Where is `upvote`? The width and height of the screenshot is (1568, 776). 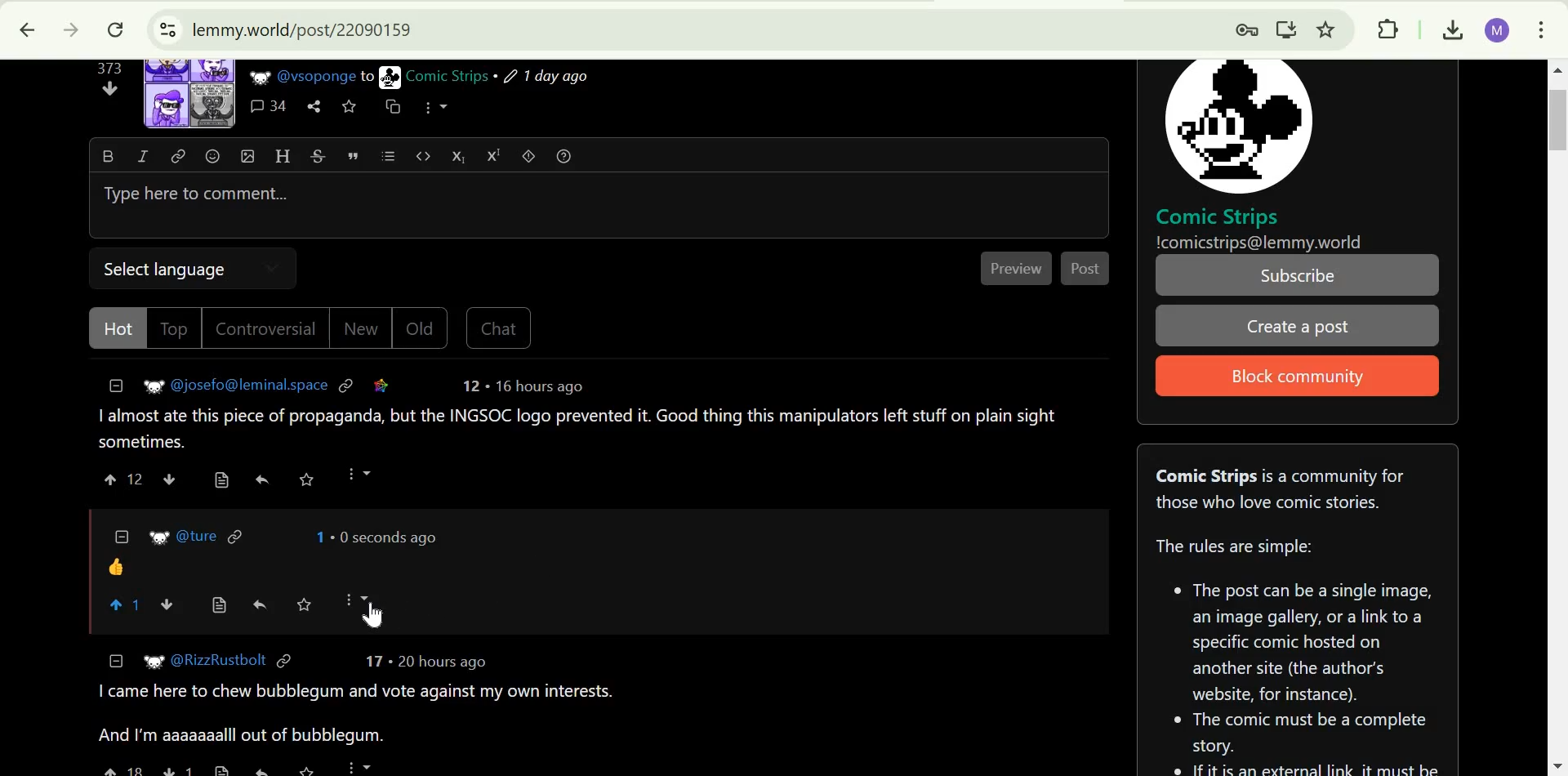
upvote is located at coordinates (112, 479).